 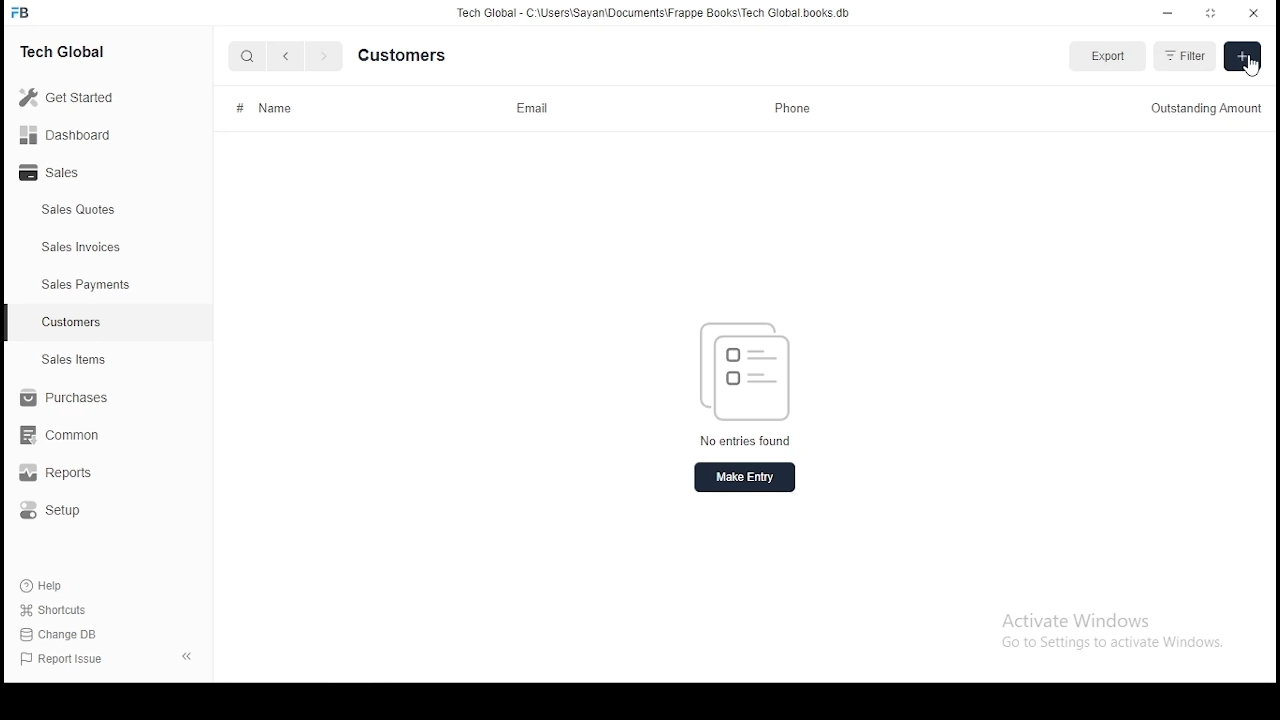 I want to click on sales invoices, so click(x=80, y=247).